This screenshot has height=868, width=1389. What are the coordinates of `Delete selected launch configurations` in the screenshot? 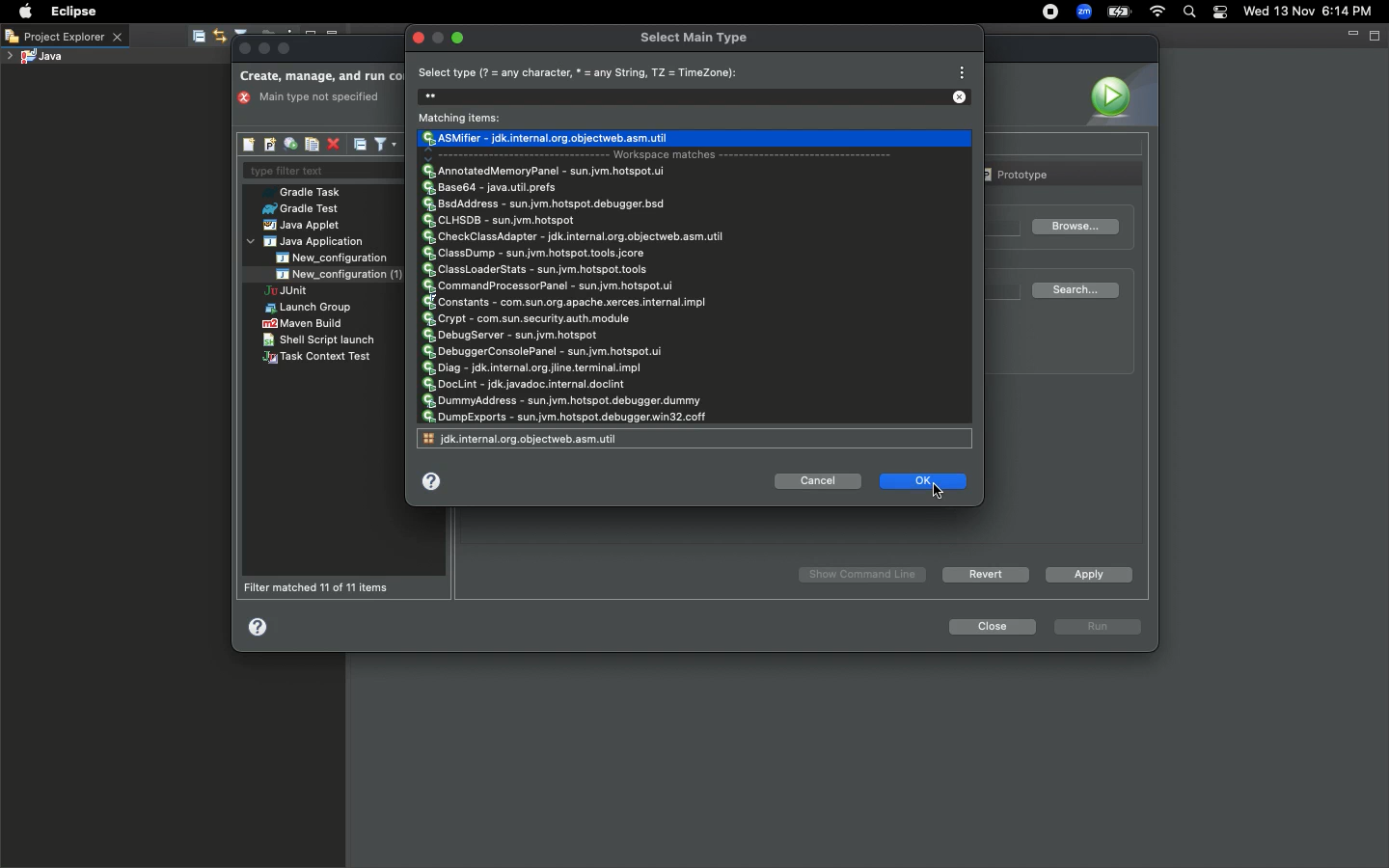 It's located at (333, 146).